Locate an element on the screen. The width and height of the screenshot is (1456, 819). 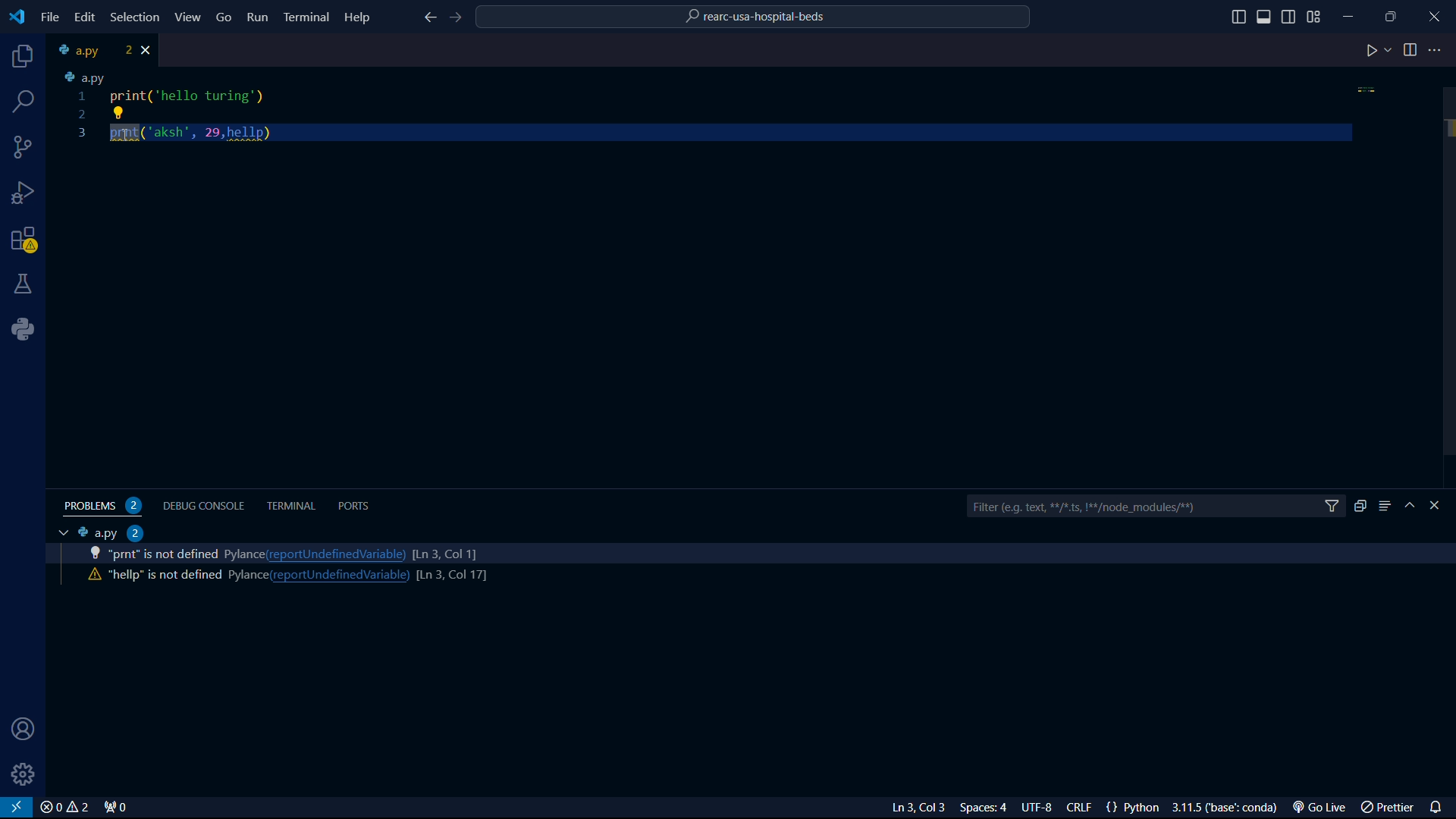
View is located at coordinates (189, 17).